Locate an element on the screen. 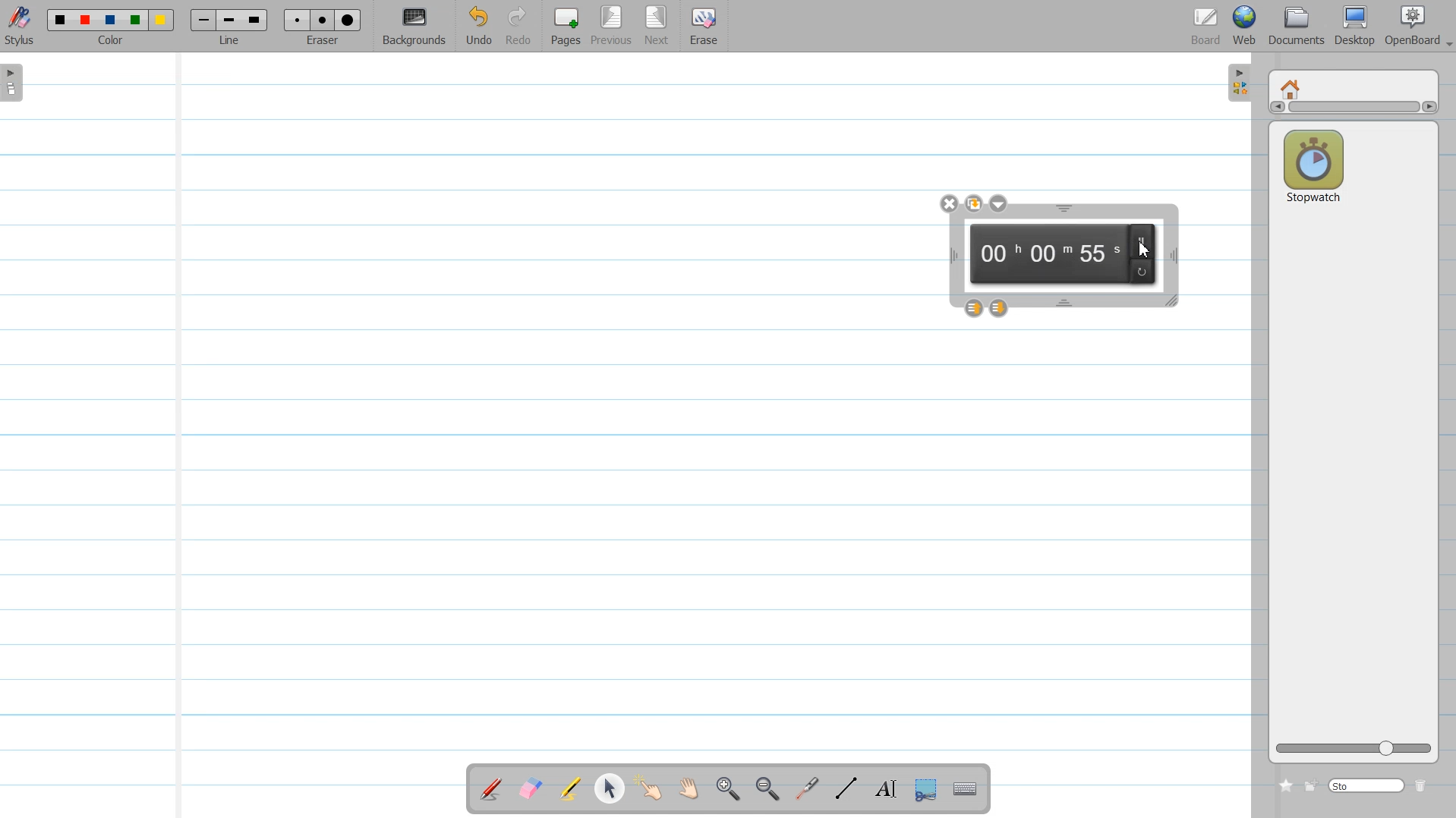 The image size is (1456, 818). Layer up is located at coordinates (973, 308).